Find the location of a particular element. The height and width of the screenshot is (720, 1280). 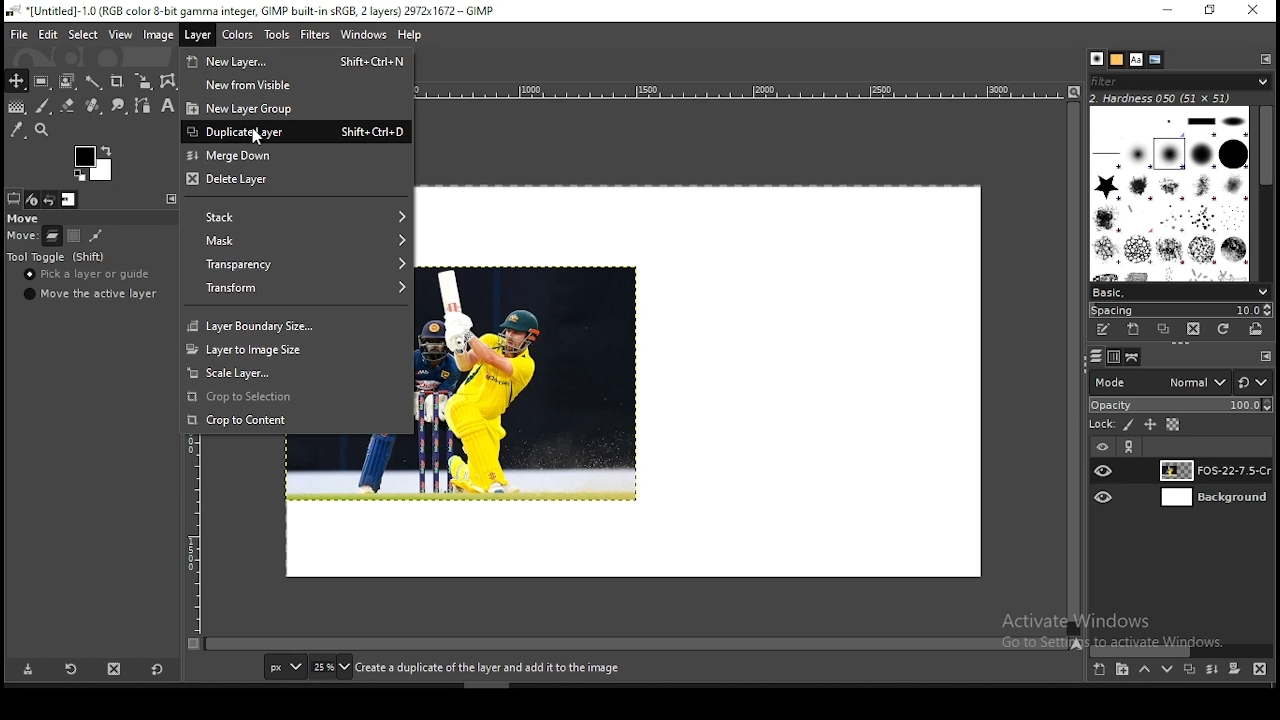

brush tool is located at coordinates (43, 106).